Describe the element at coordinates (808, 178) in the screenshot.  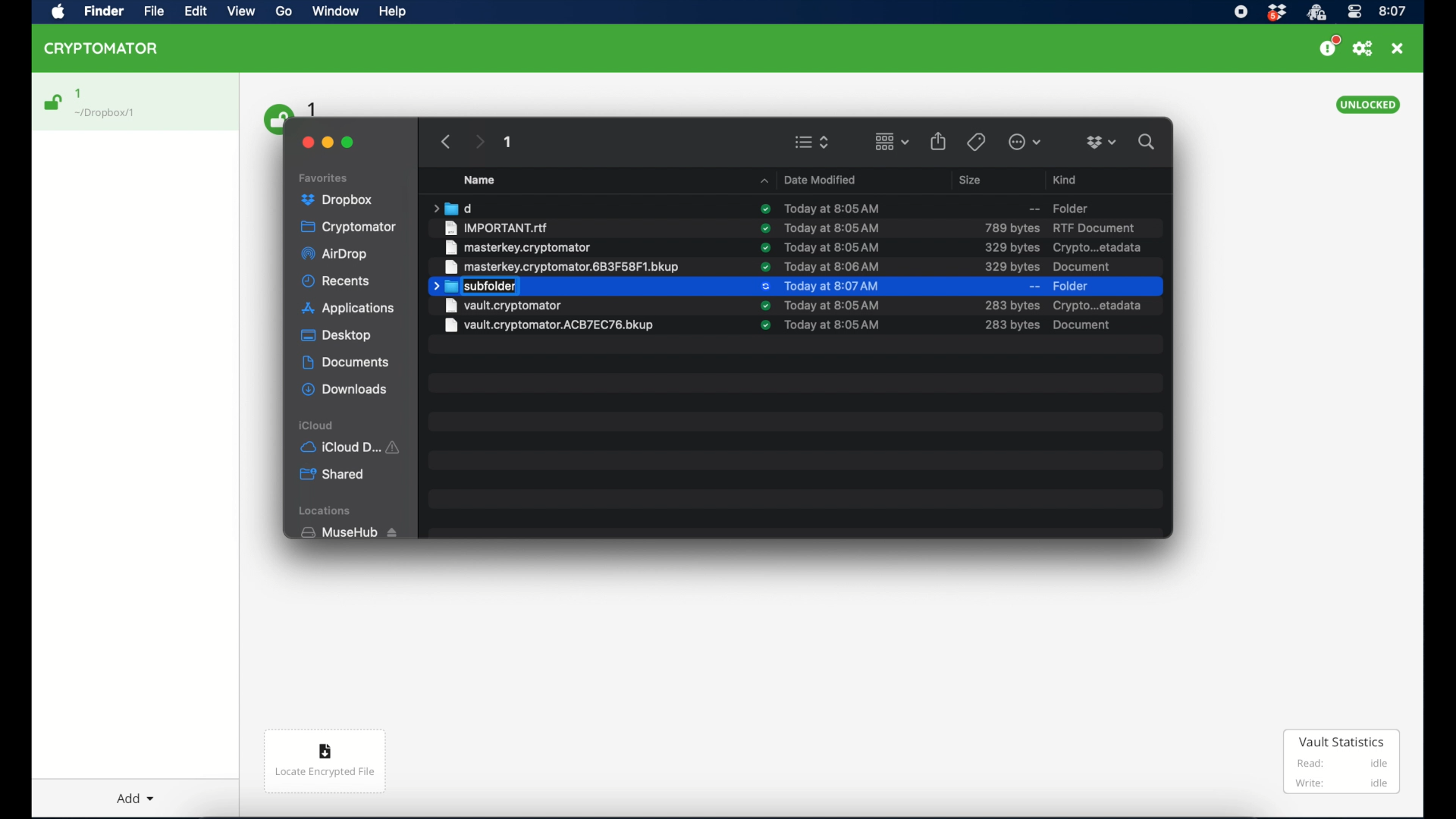
I see `Date Modifies` at that location.